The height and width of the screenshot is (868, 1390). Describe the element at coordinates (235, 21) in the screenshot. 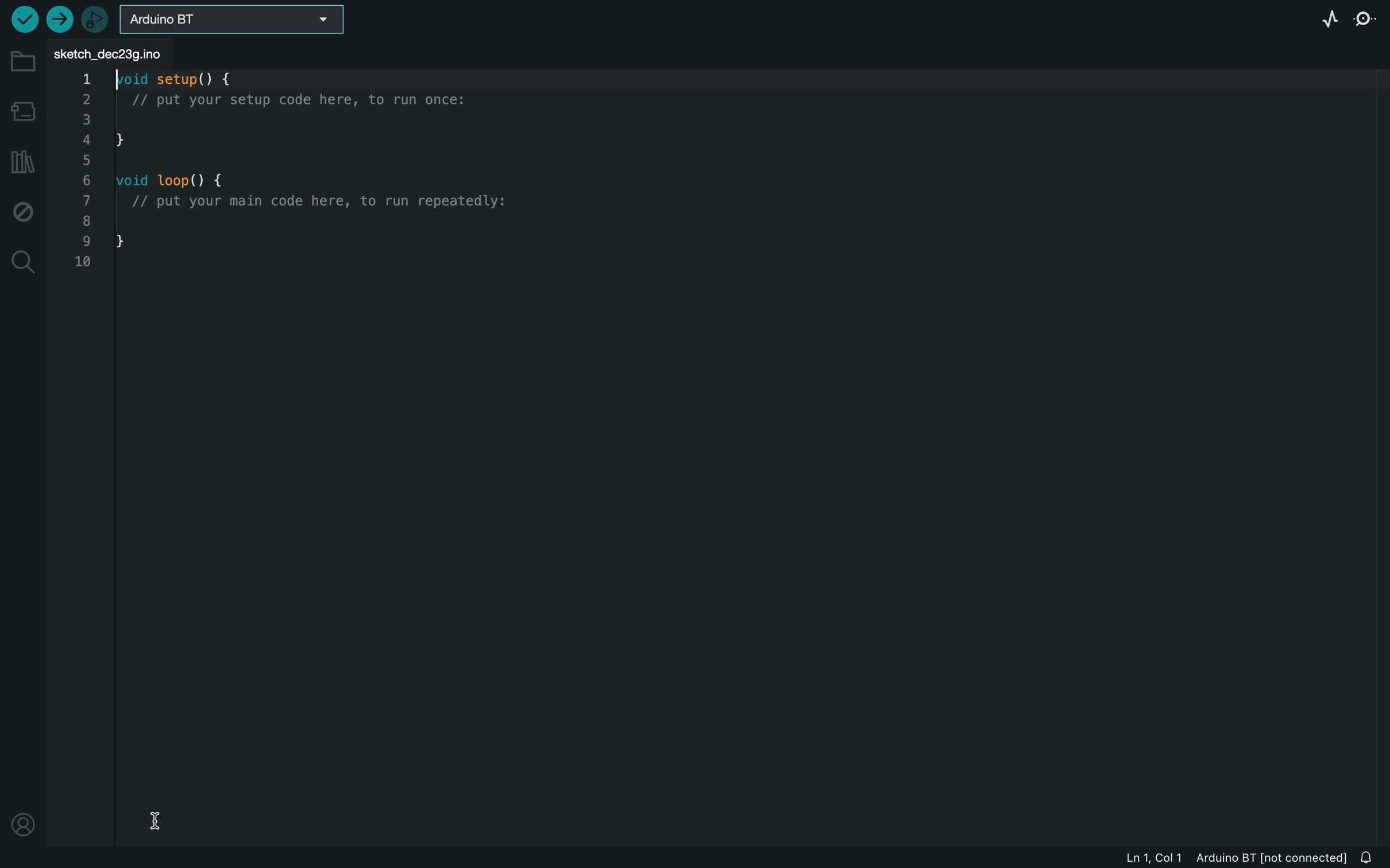

I see `board selecter` at that location.